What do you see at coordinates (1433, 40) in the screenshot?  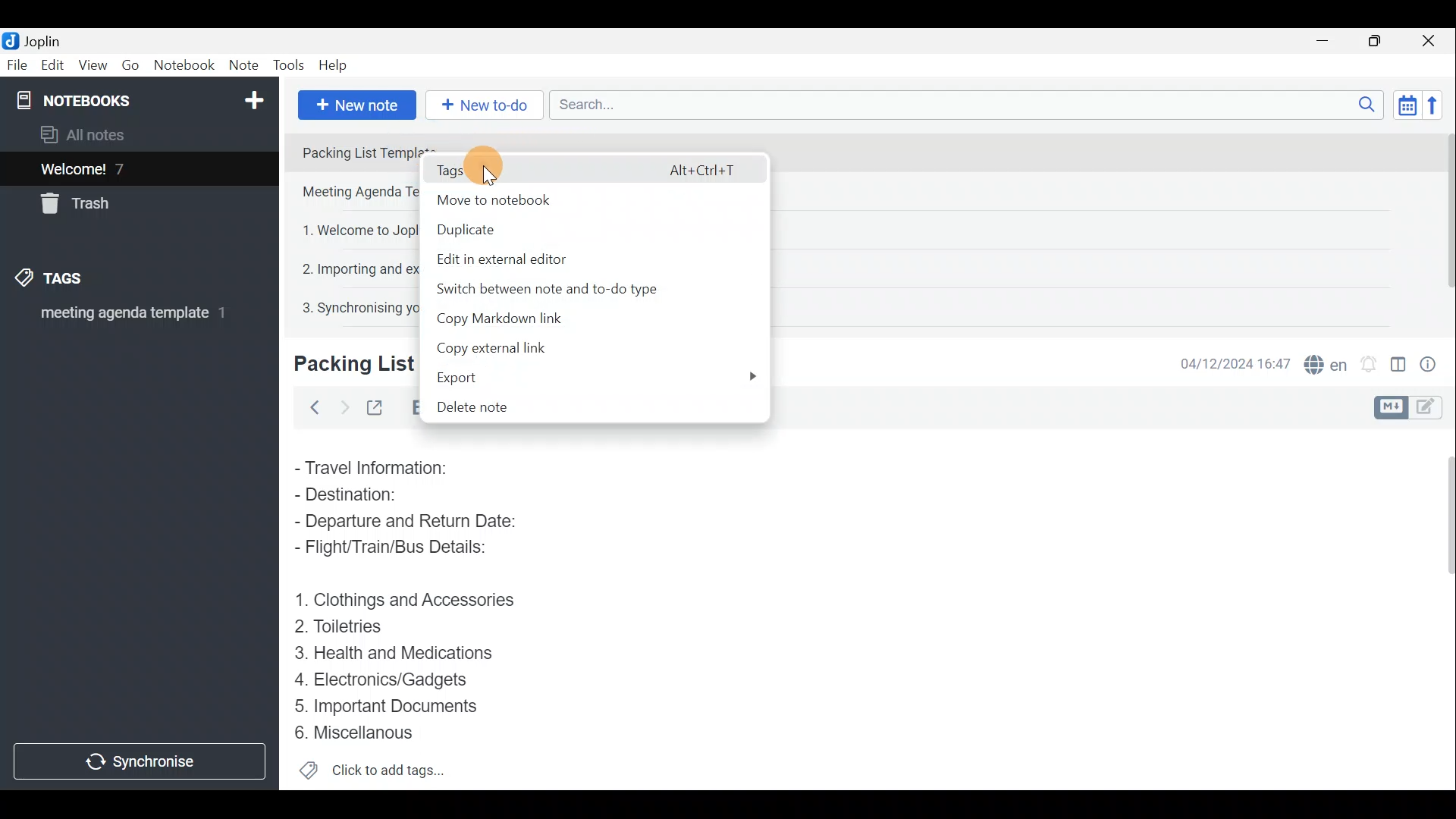 I see `Close` at bounding box center [1433, 40].